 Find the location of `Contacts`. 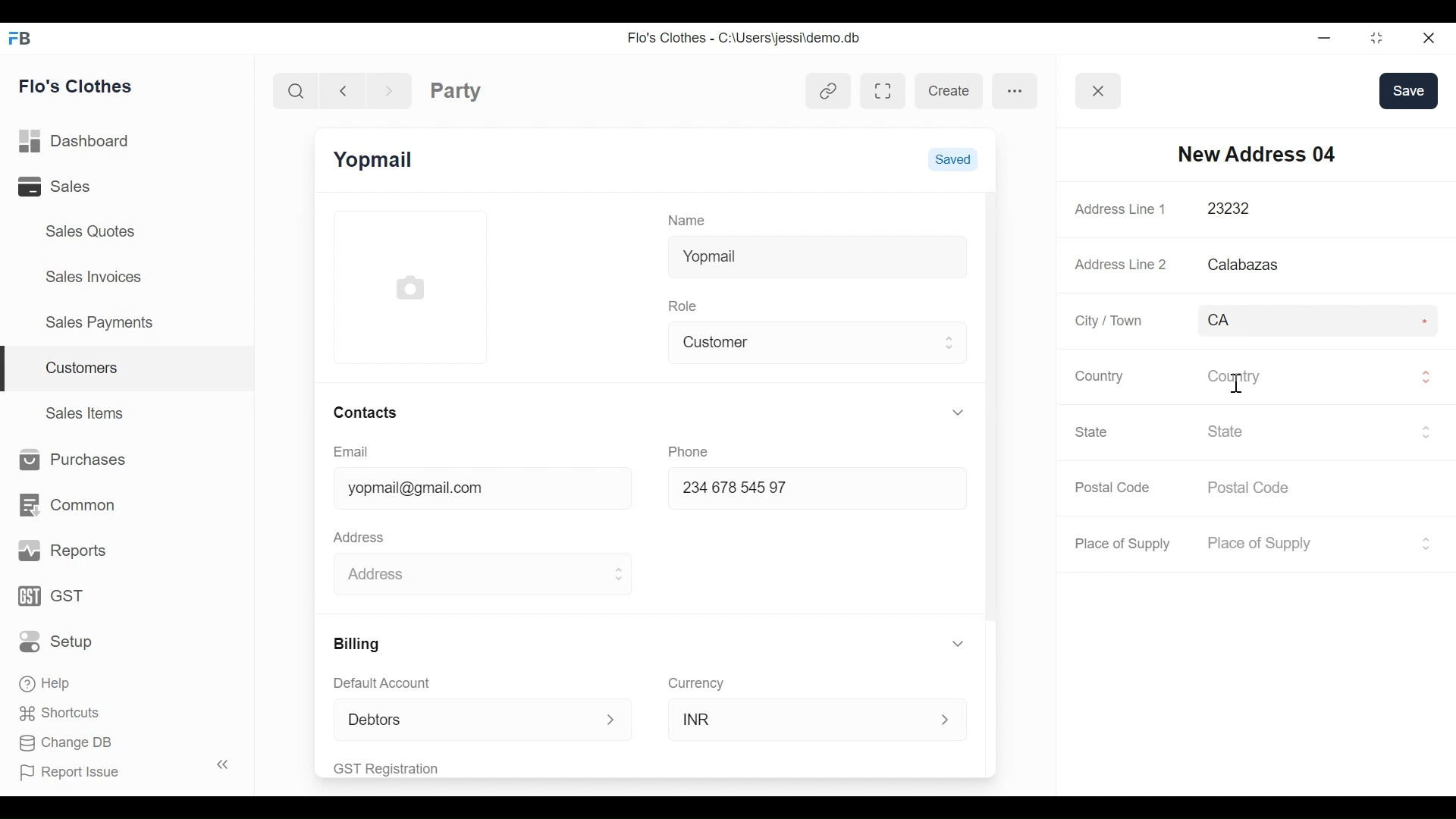

Contacts is located at coordinates (364, 412).